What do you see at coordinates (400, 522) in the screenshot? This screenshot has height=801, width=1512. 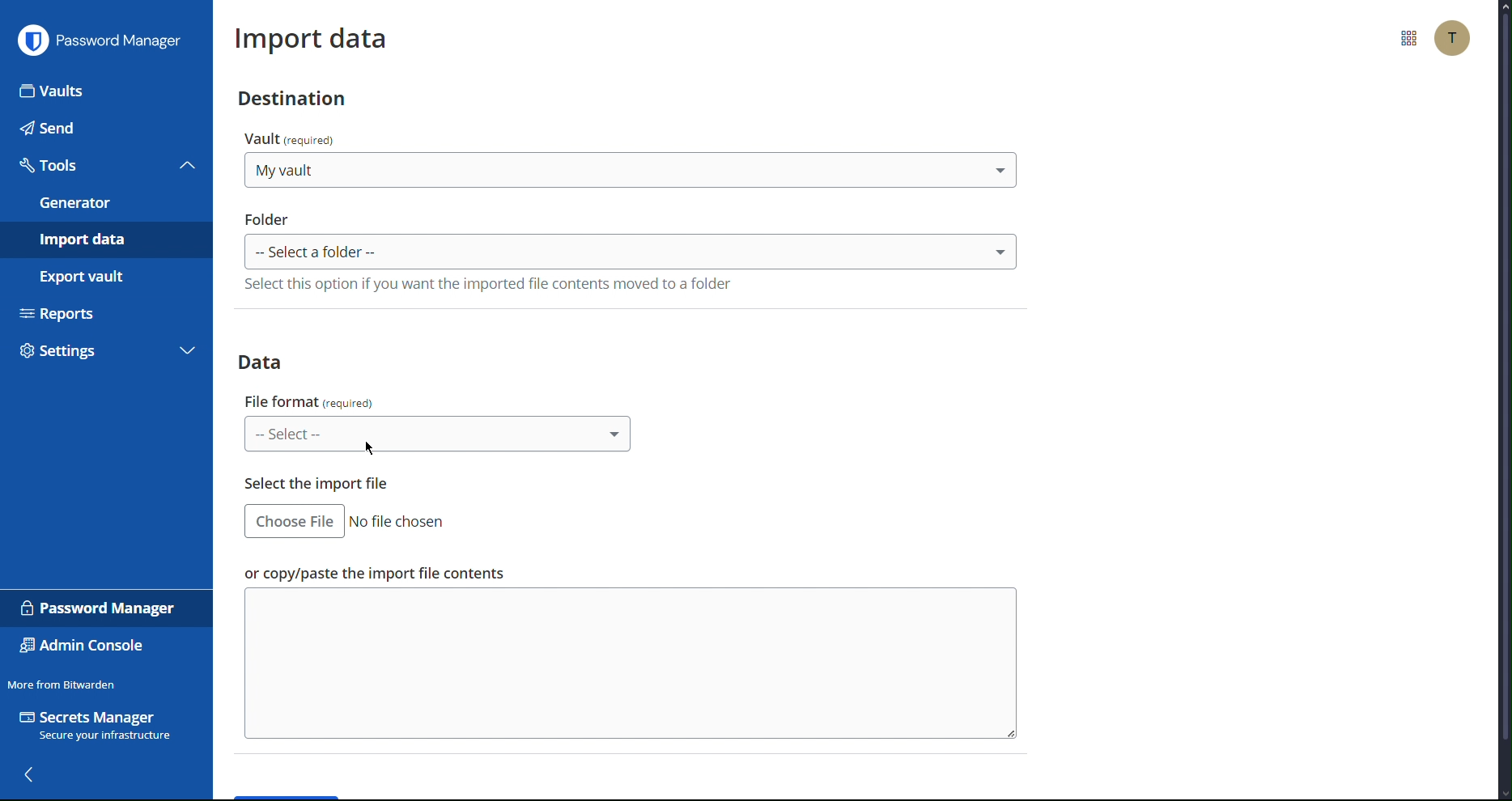 I see `no file chosen` at bounding box center [400, 522].